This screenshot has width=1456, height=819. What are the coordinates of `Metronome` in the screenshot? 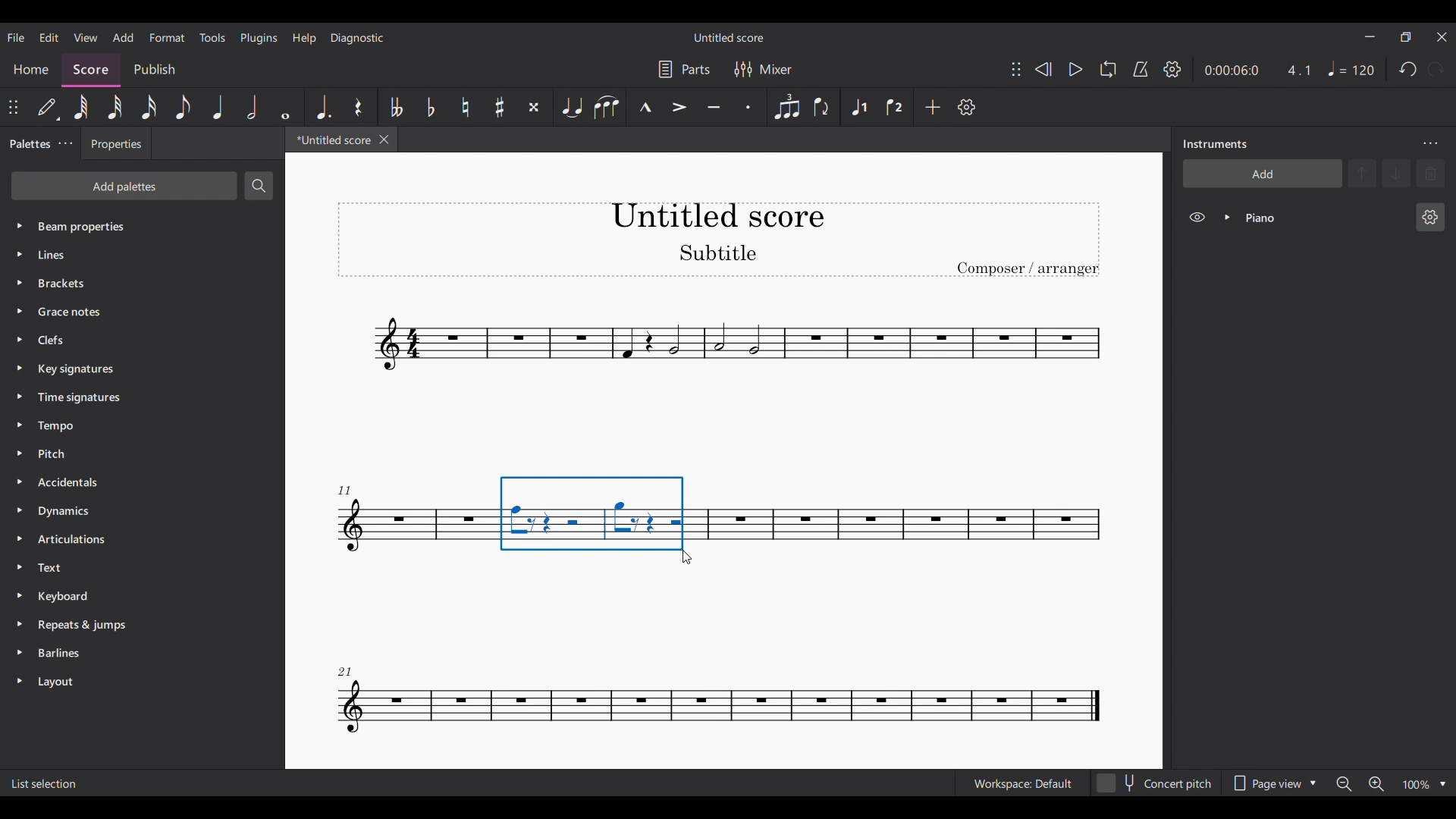 It's located at (1141, 69).